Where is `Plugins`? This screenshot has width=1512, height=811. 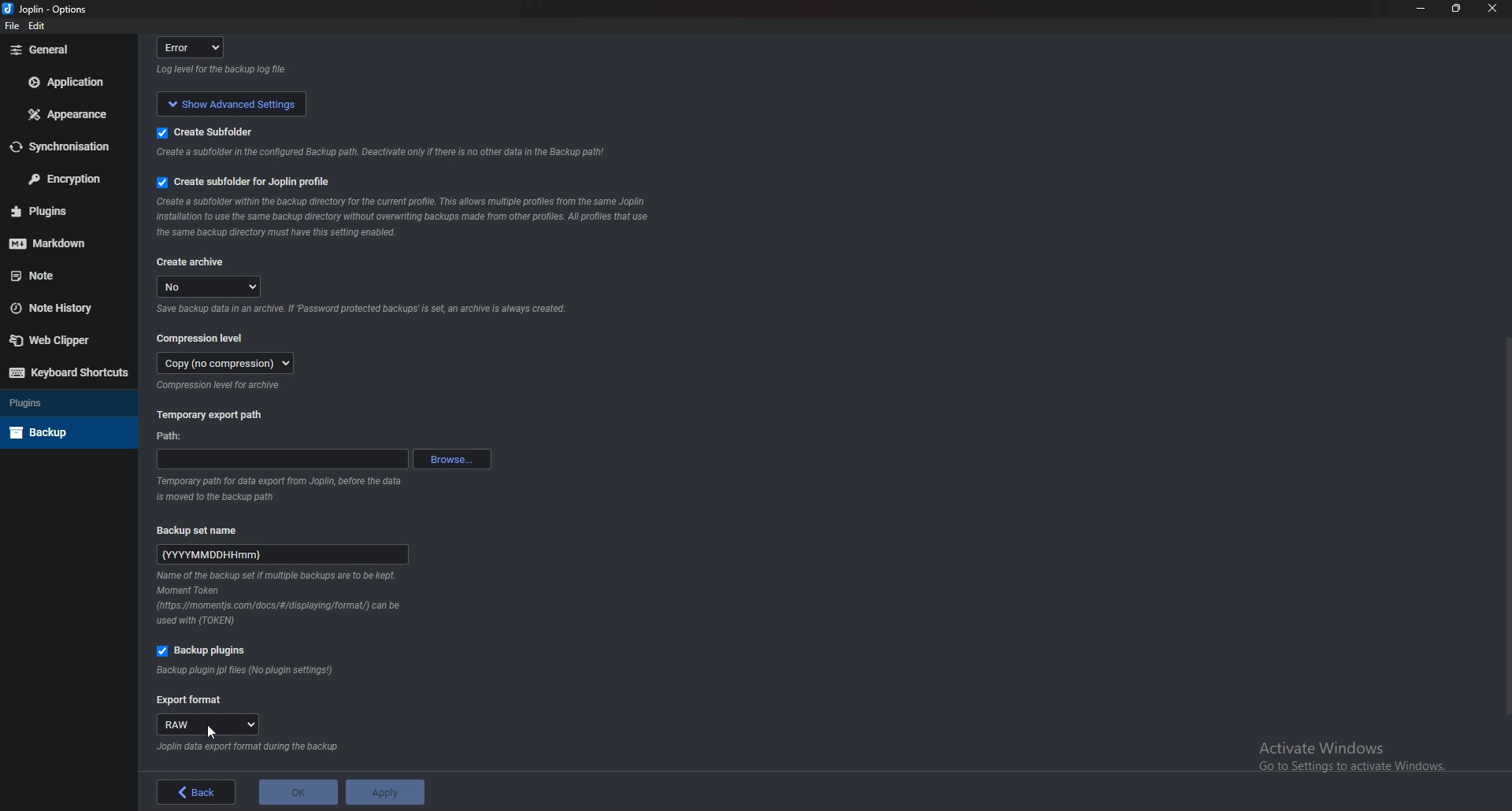 Plugins is located at coordinates (61, 211).